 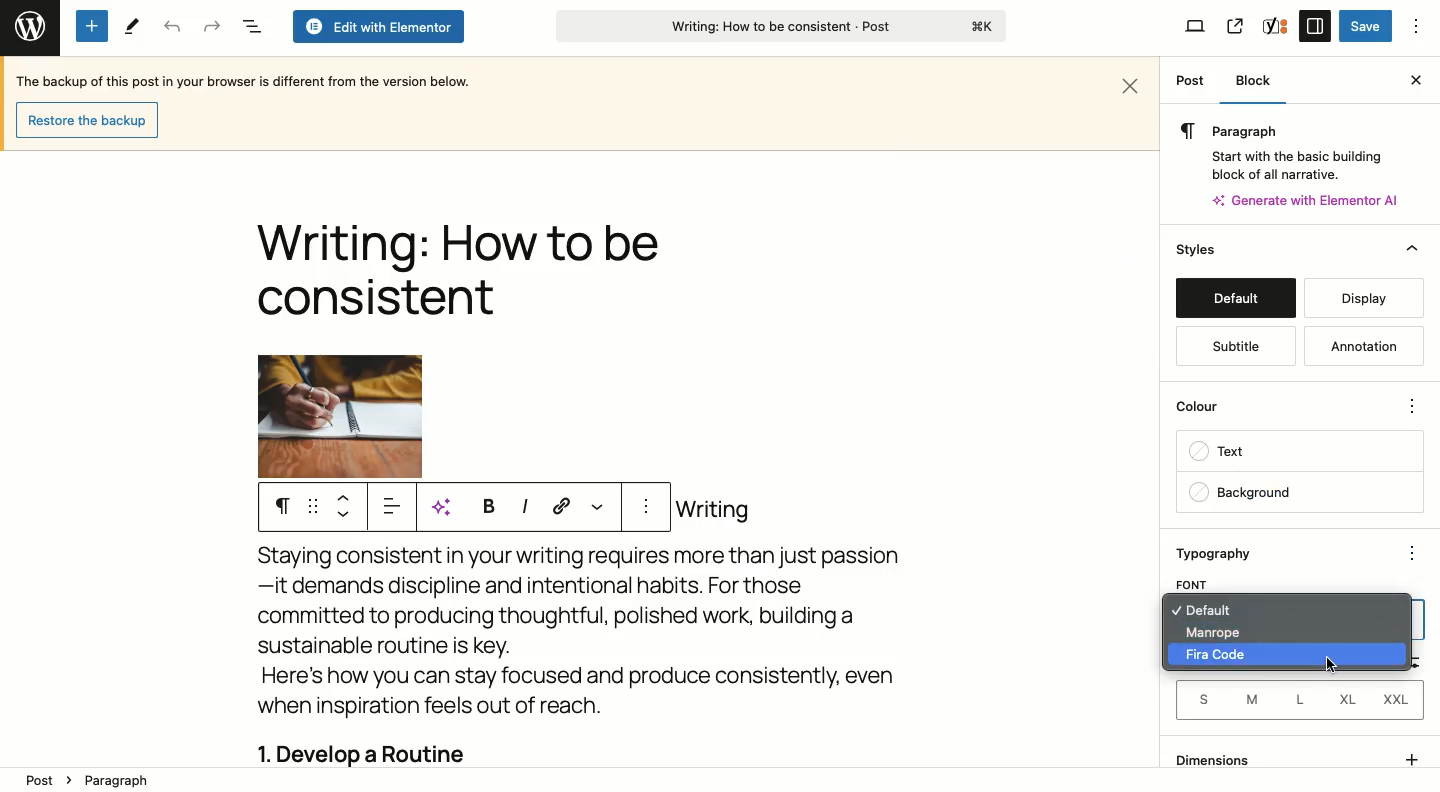 What do you see at coordinates (1337, 665) in the screenshot?
I see `Cursor` at bounding box center [1337, 665].